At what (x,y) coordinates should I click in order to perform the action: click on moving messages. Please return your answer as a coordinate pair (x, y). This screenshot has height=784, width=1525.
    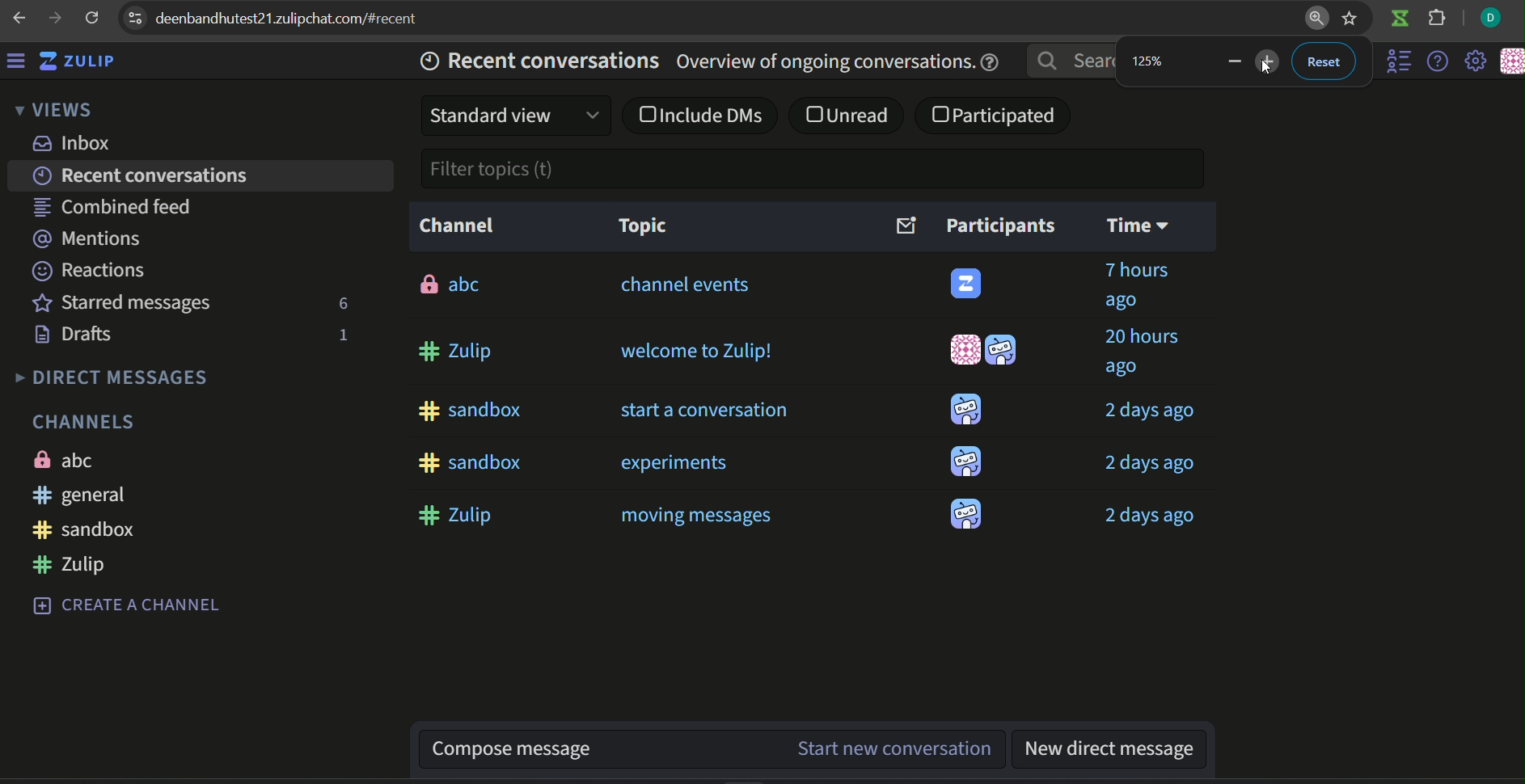
    Looking at the image, I should click on (697, 515).